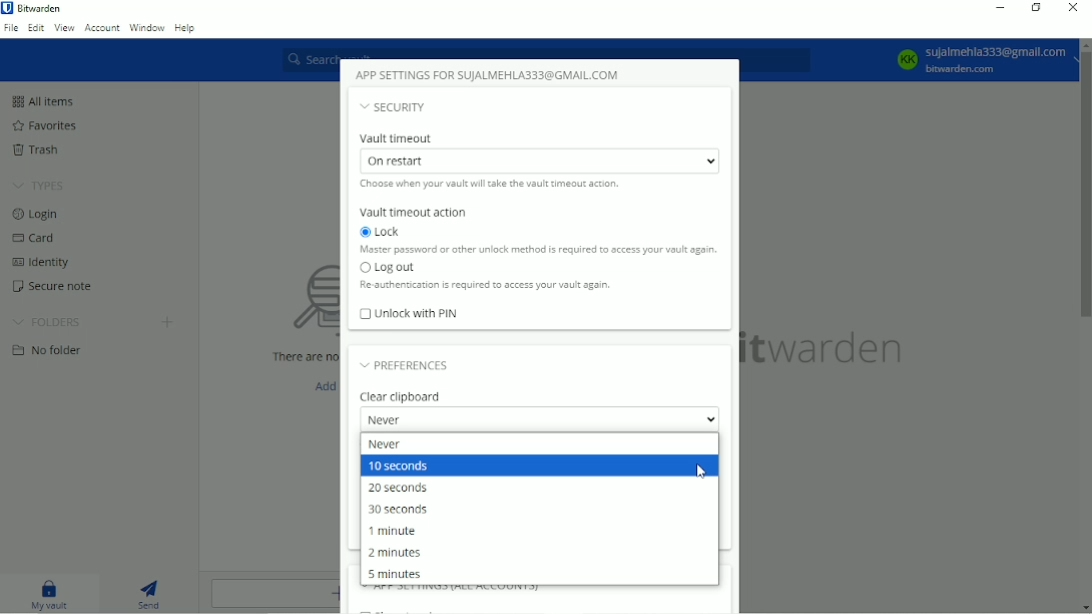 This screenshot has width=1092, height=614. I want to click on View, so click(65, 27).